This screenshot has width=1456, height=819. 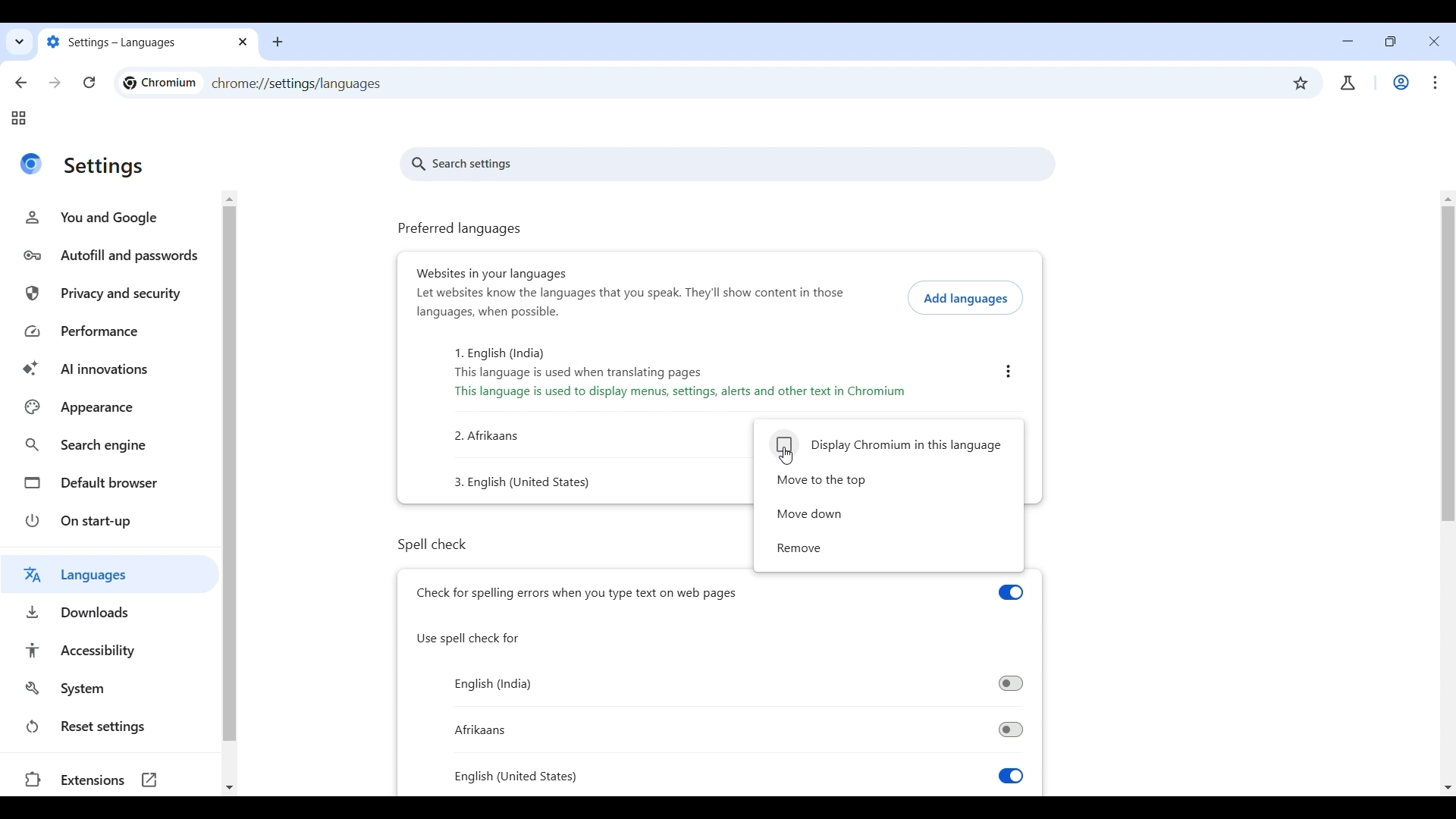 What do you see at coordinates (469, 639) in the screenshot?
I see `use spell check for` at bounding box center [469, 639].